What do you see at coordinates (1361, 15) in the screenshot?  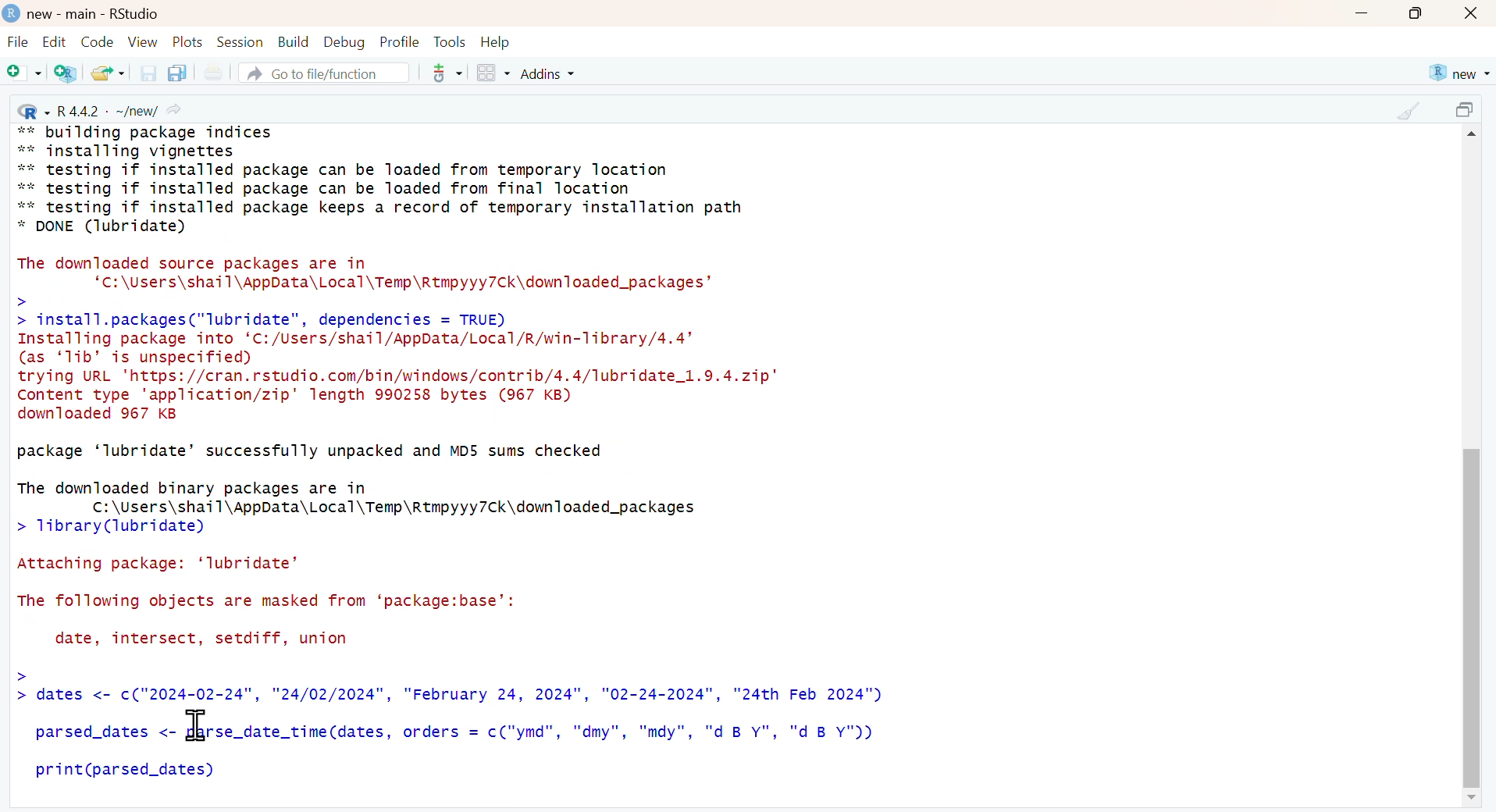 I see `minimize` at bounding box center [1361, 15].